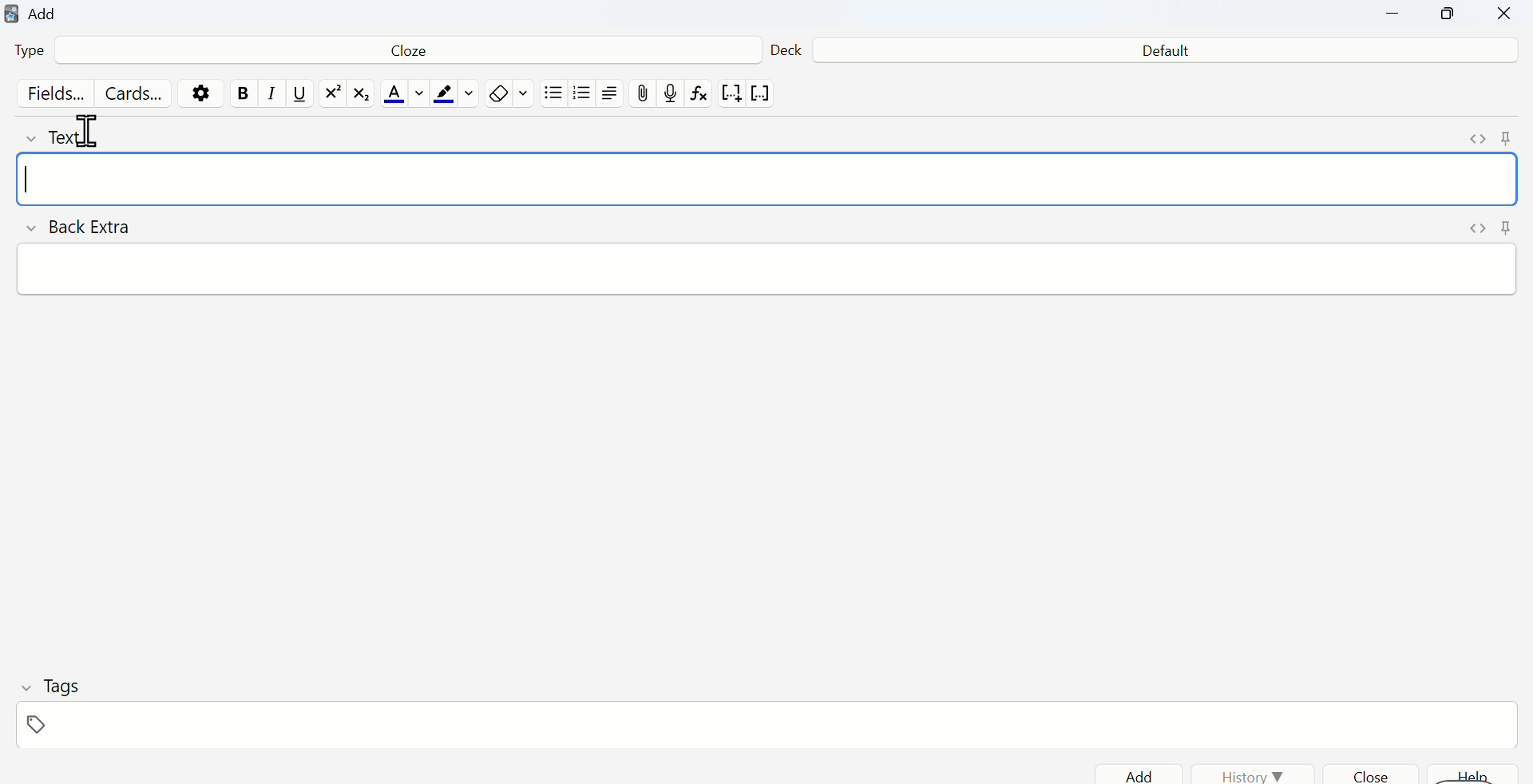  I want to click on Expand, so click(1465, 227).